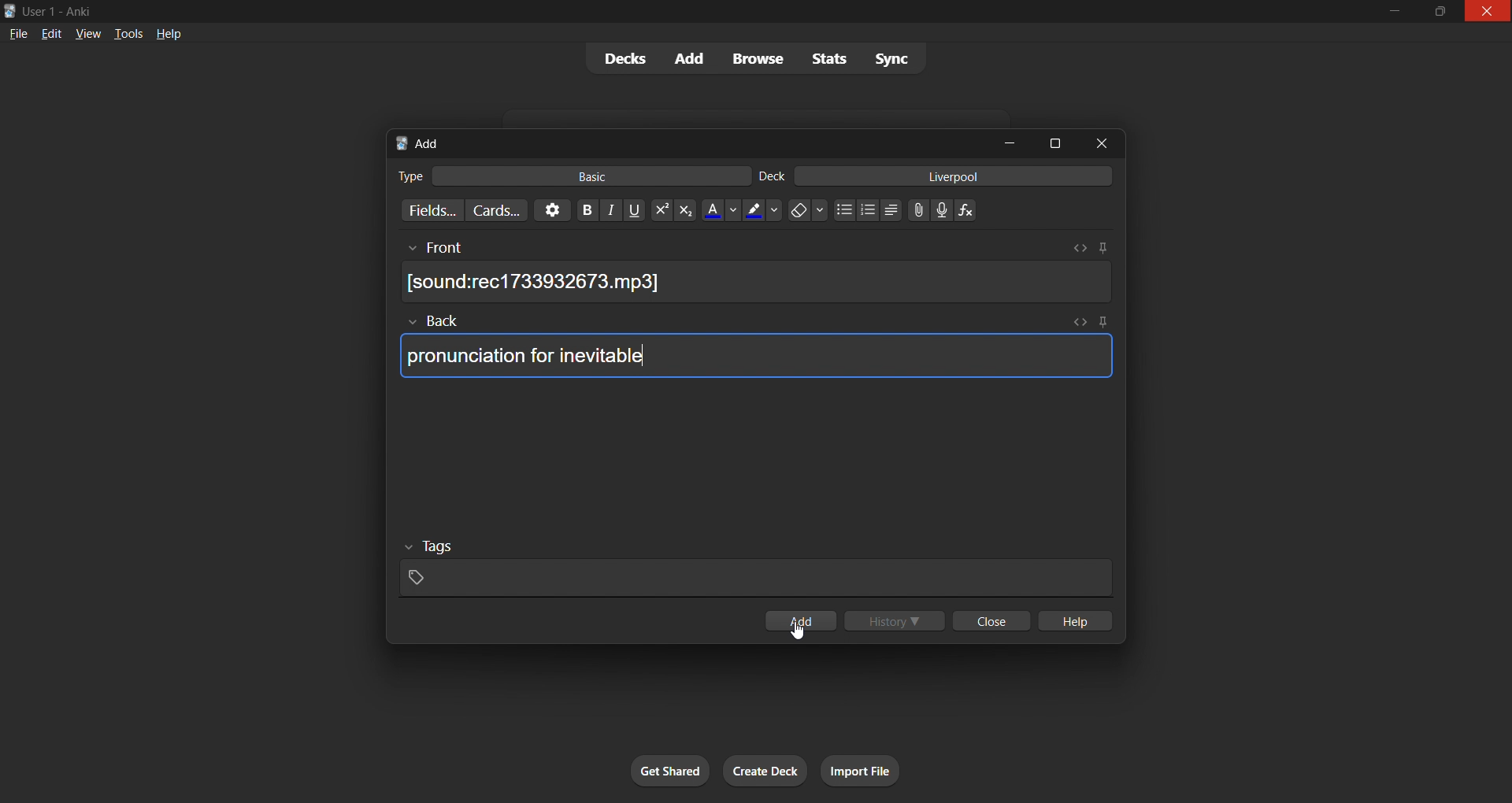 This screenshot has width=1512, height=803. Describe the element at coordinates (754, 245) in the screenshot. I see `front input field` at that location.